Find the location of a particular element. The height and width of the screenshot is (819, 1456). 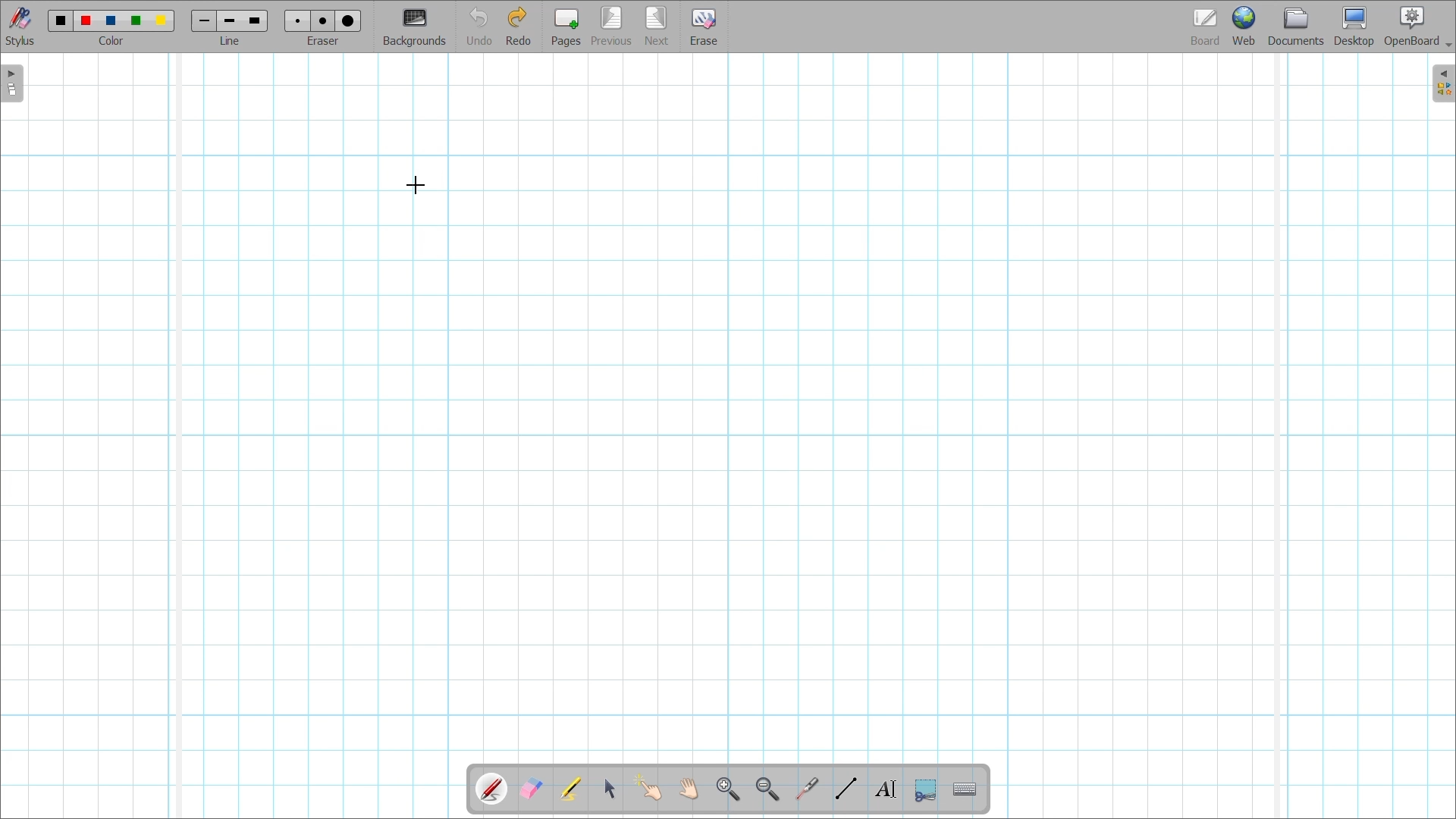

Zoom out is located at coordinates (767, 789).